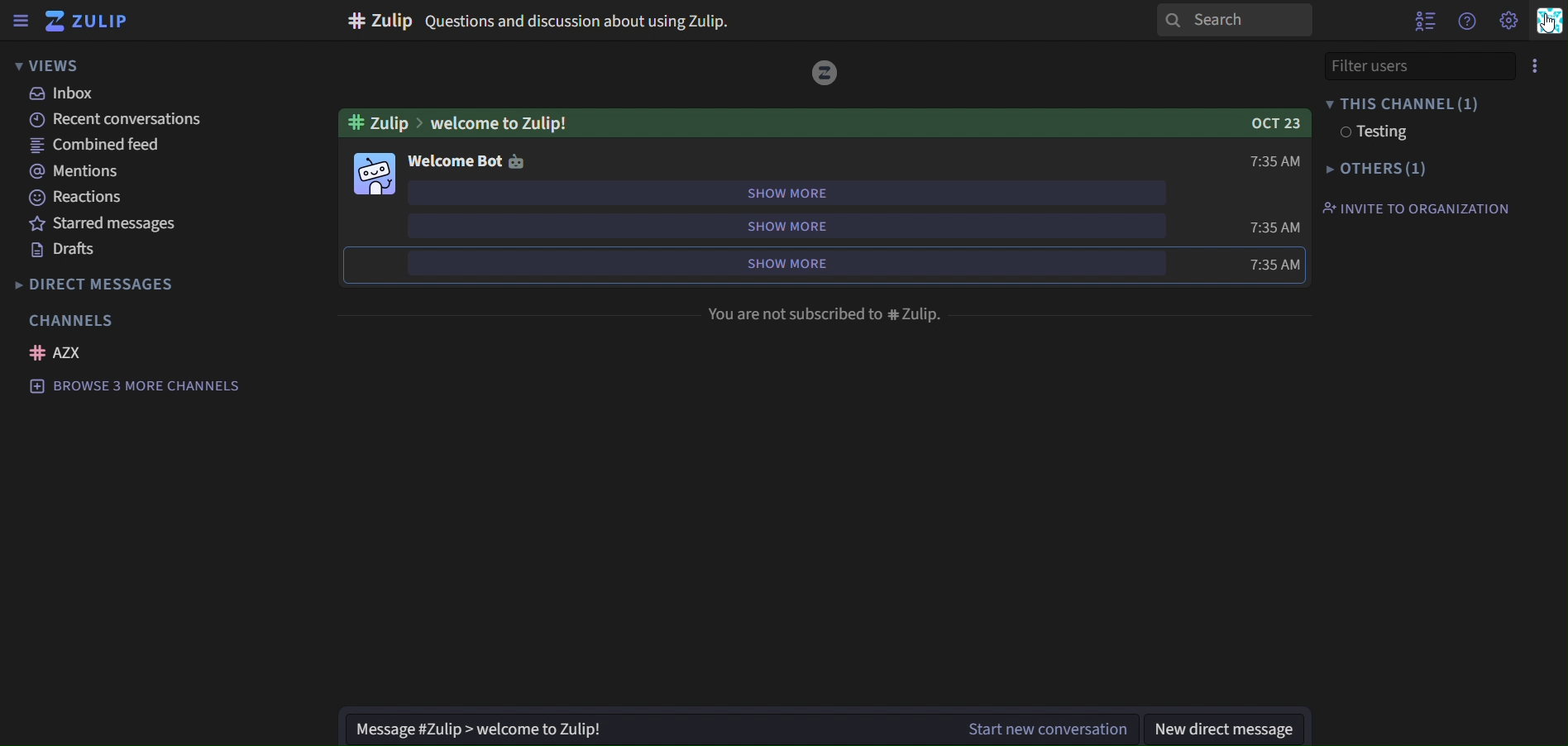 The image size is (1568, 746). What do you see at coordinates (146, 388) in the screenshot?
I see `browse 3 more channels` at bounding box center [146, 388].